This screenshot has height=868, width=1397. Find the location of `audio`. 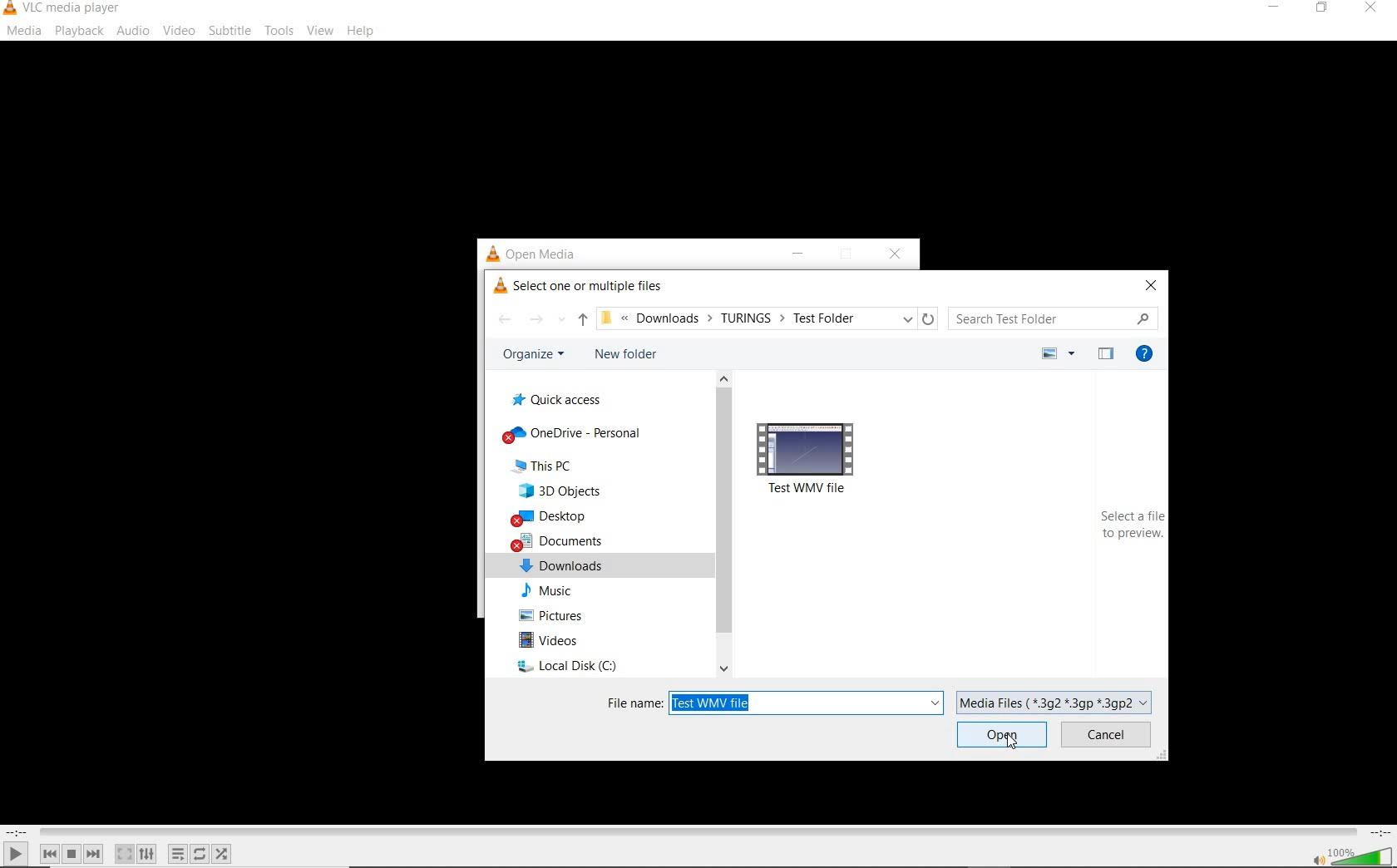

audio is located at coordinates (135, 31).